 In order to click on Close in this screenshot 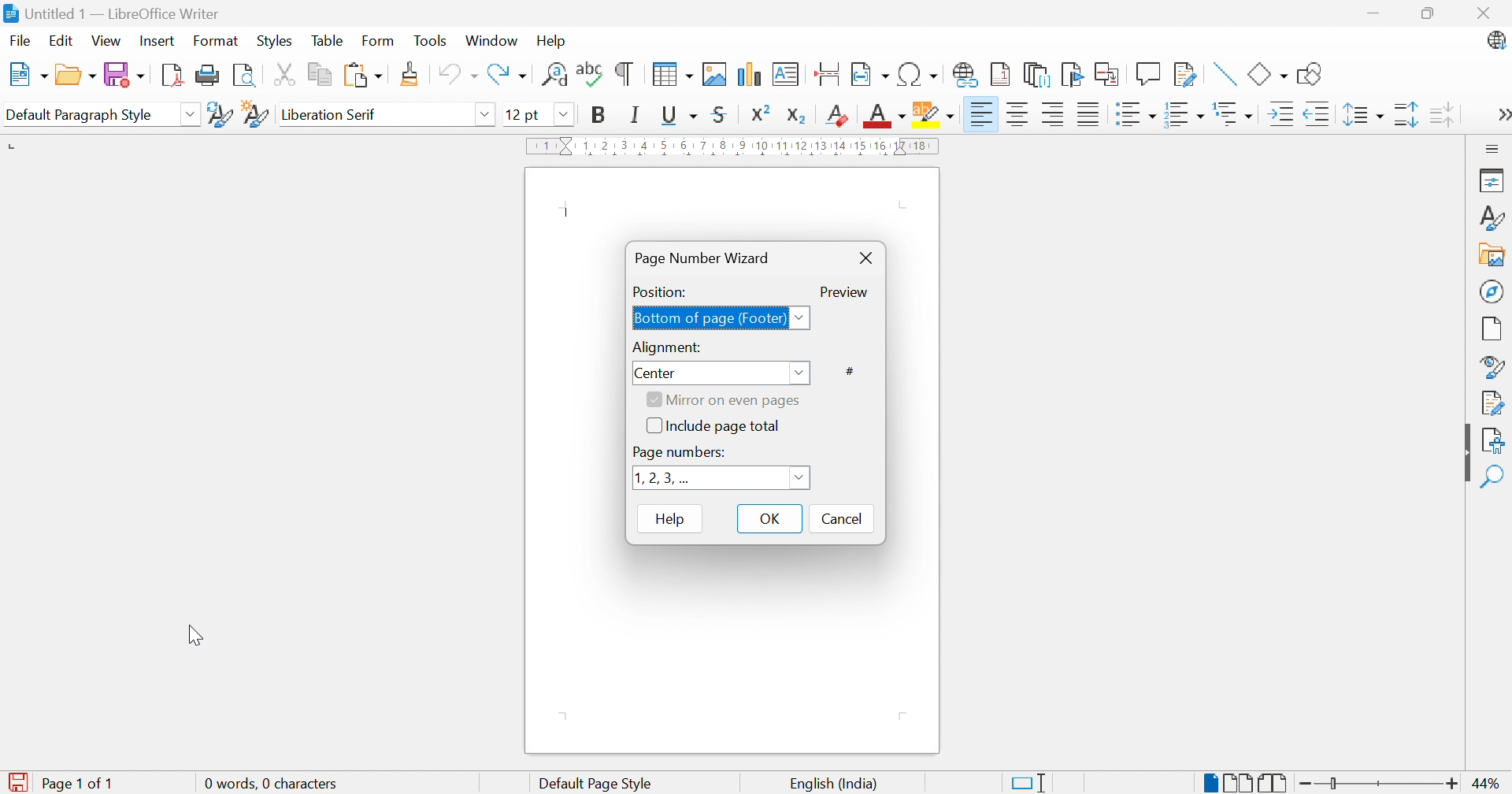, I will do `click(1484, 14)`.